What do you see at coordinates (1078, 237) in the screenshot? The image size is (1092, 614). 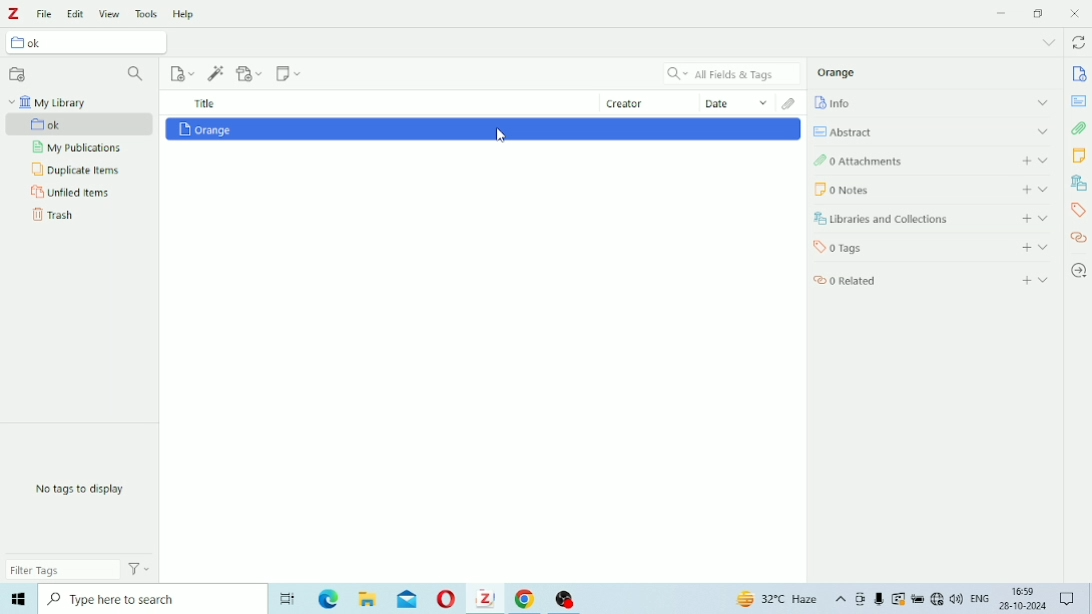 I see `Related` at bounding box center [1078, 237].